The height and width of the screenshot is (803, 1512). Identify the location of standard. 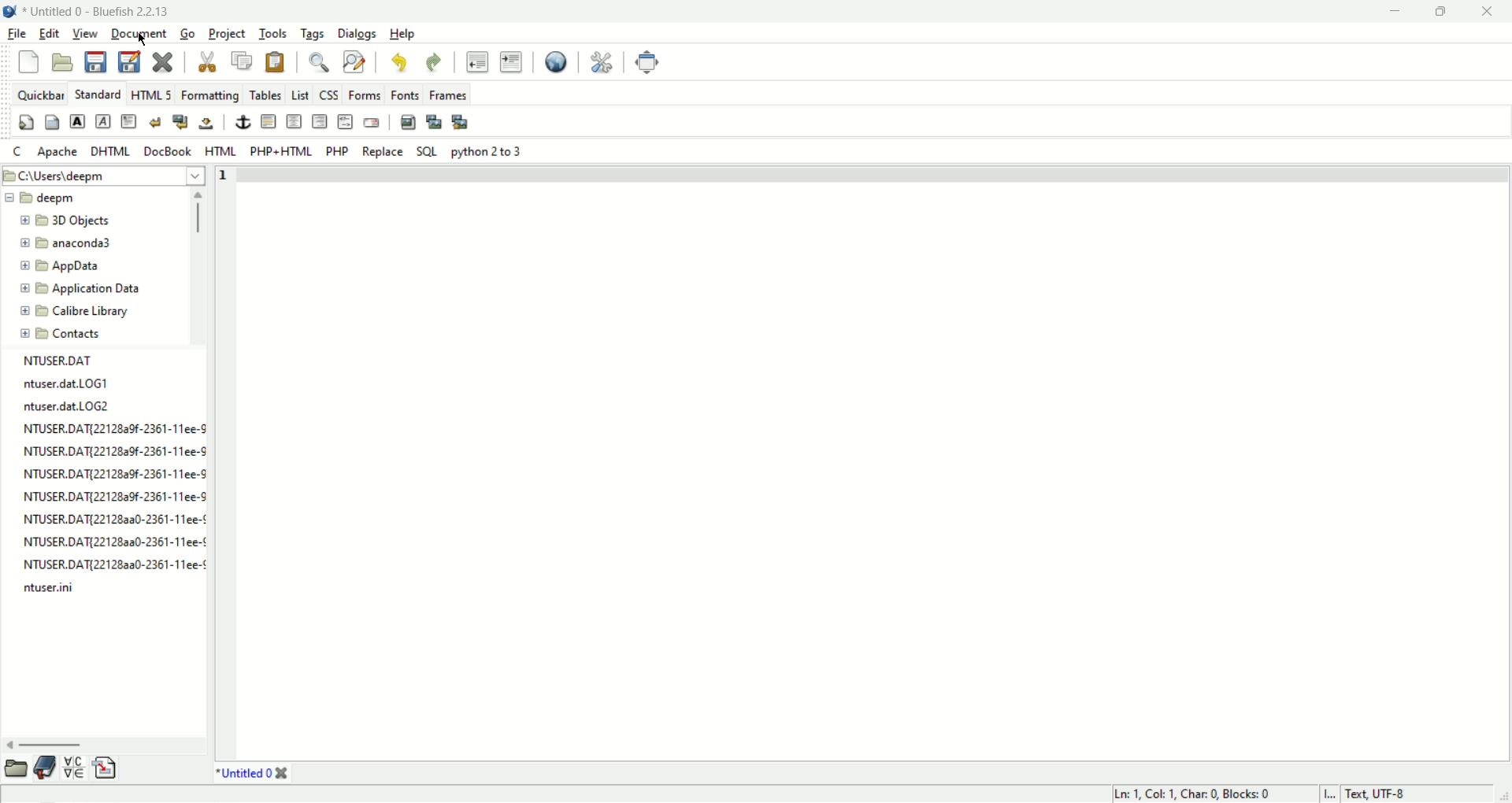
(98, 94).